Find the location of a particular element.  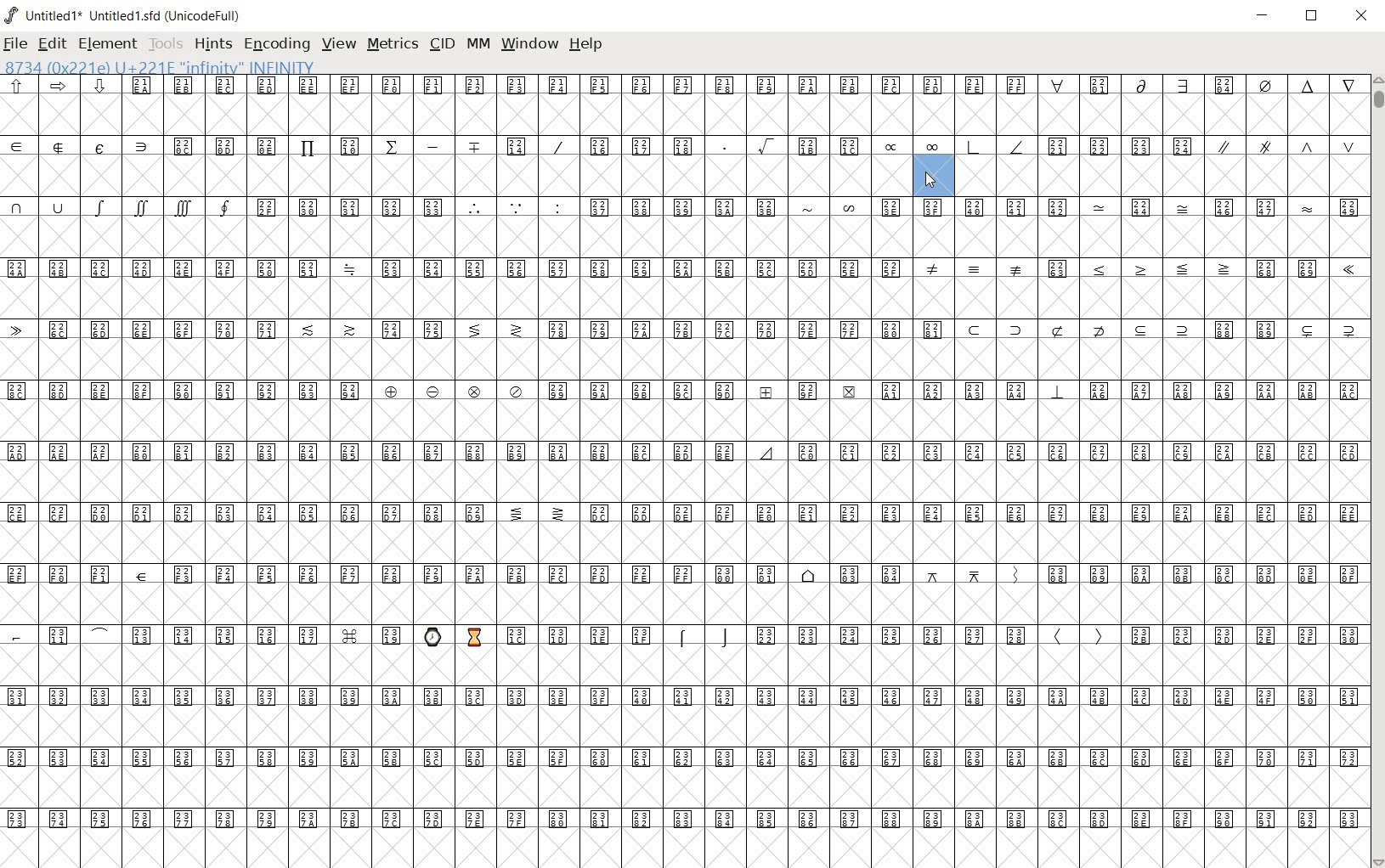

emojis is located at coordinates (453, 635).